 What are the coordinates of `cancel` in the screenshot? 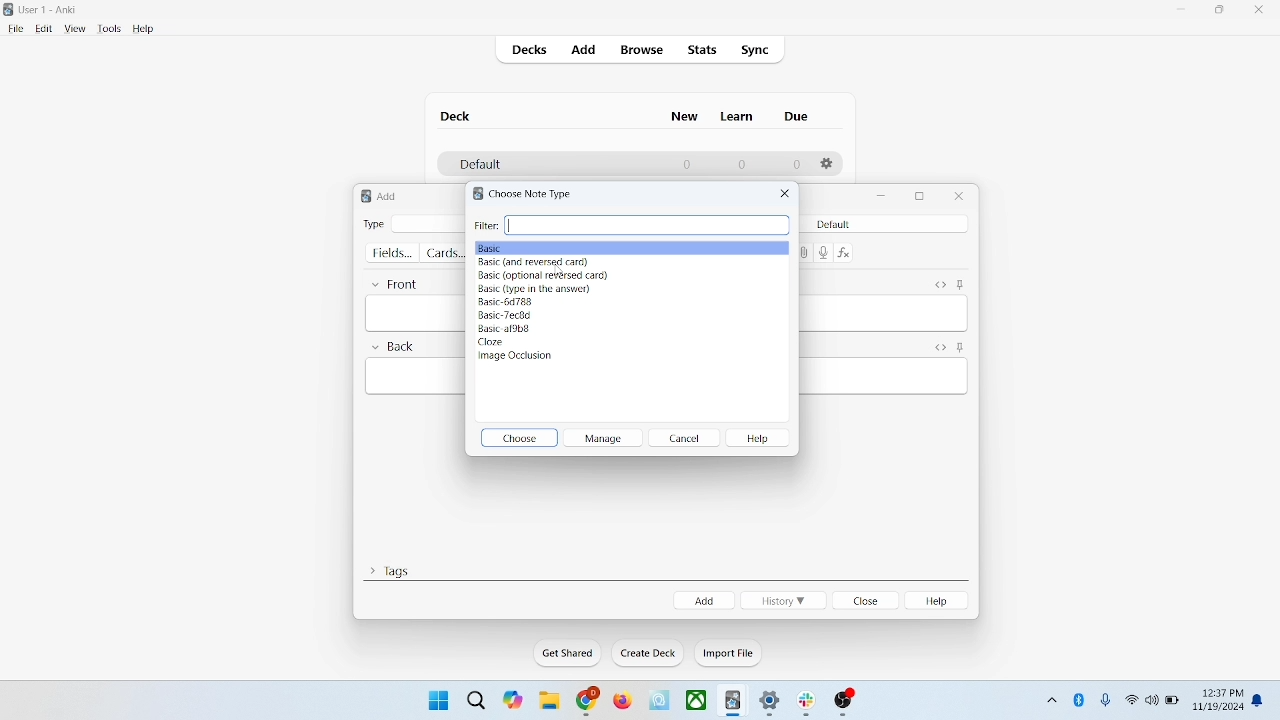 It's located at (686, 437).